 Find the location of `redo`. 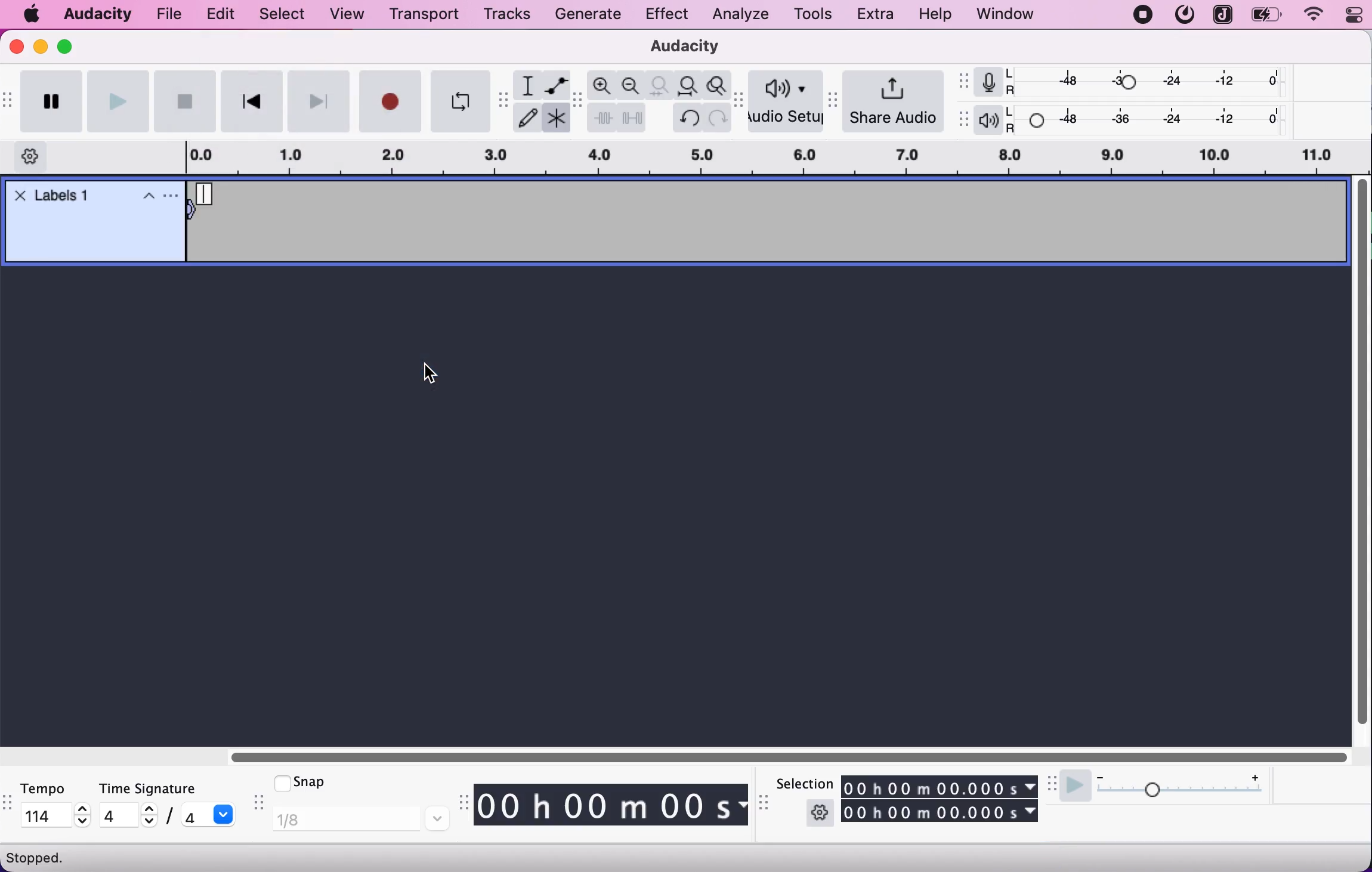

redo is located at coordinates (719, 117).